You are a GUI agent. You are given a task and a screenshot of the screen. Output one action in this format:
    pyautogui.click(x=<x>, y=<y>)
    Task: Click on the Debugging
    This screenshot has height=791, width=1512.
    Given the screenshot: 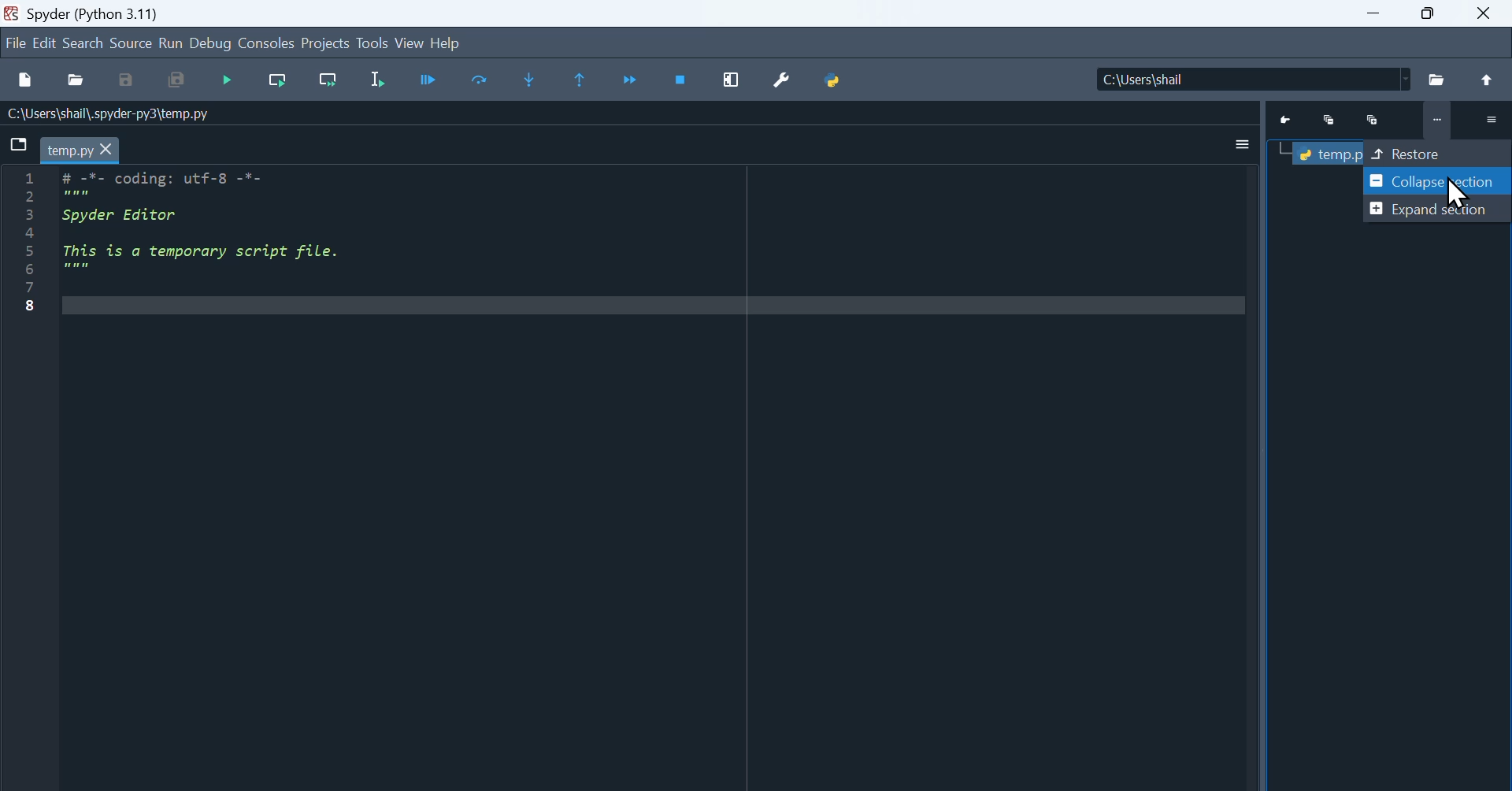 What is the action you would take?
    pyautogui.click(x=230, y=83)
    